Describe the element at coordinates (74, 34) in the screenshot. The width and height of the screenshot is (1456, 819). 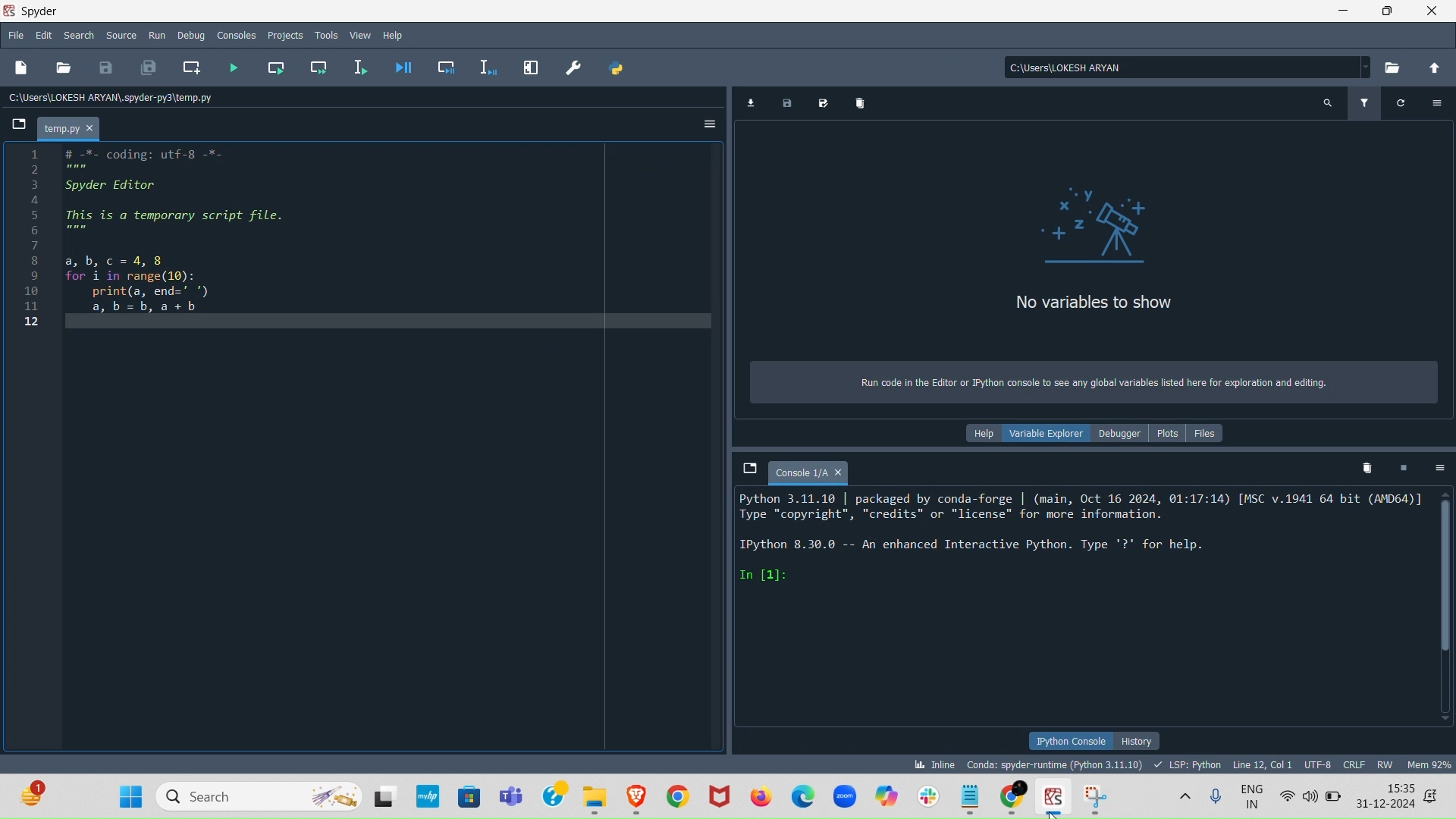
I see `search` at that location.